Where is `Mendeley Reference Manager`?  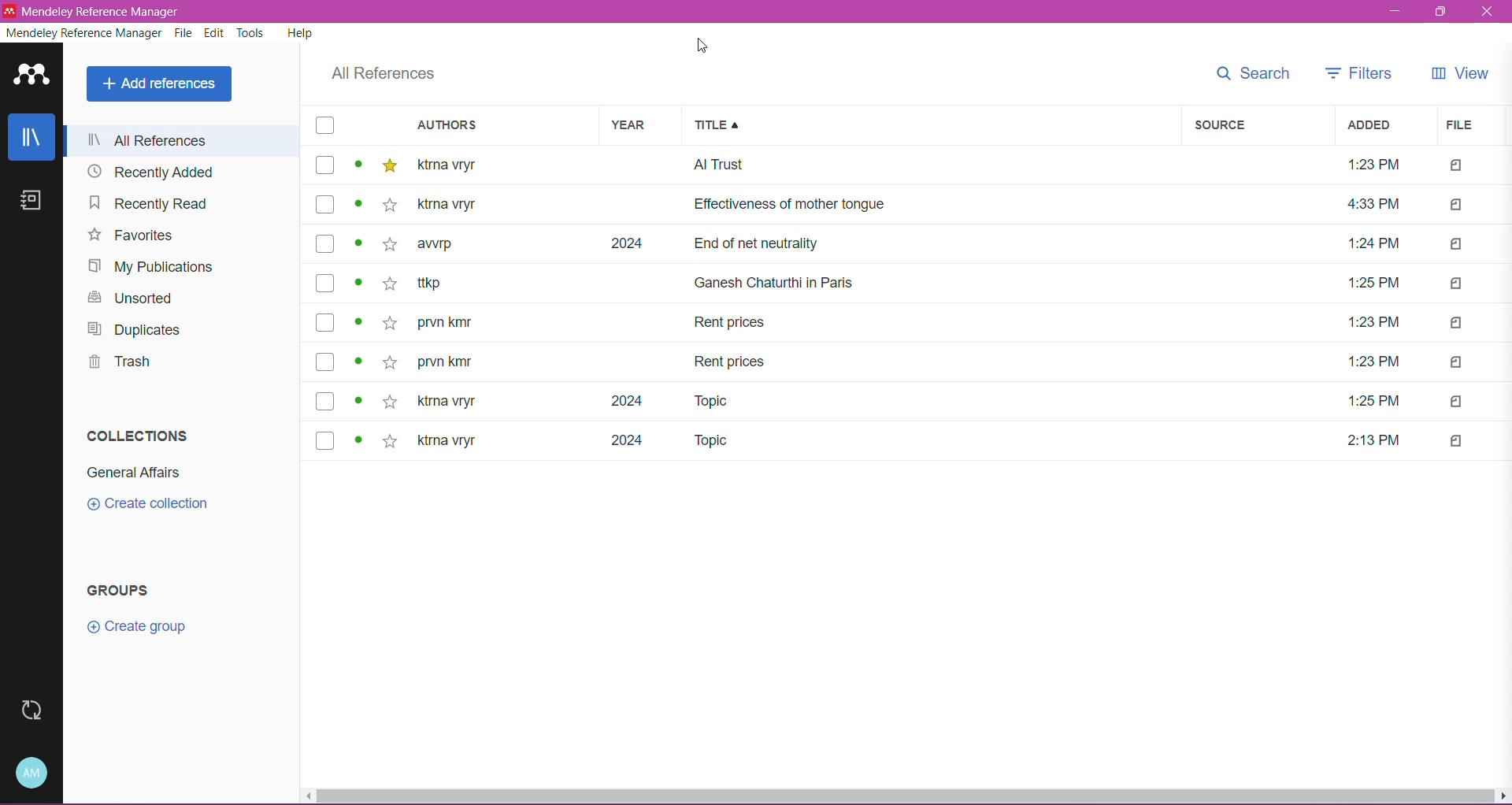
Mendeley Reference Manager is located at coordinates (90, 35).